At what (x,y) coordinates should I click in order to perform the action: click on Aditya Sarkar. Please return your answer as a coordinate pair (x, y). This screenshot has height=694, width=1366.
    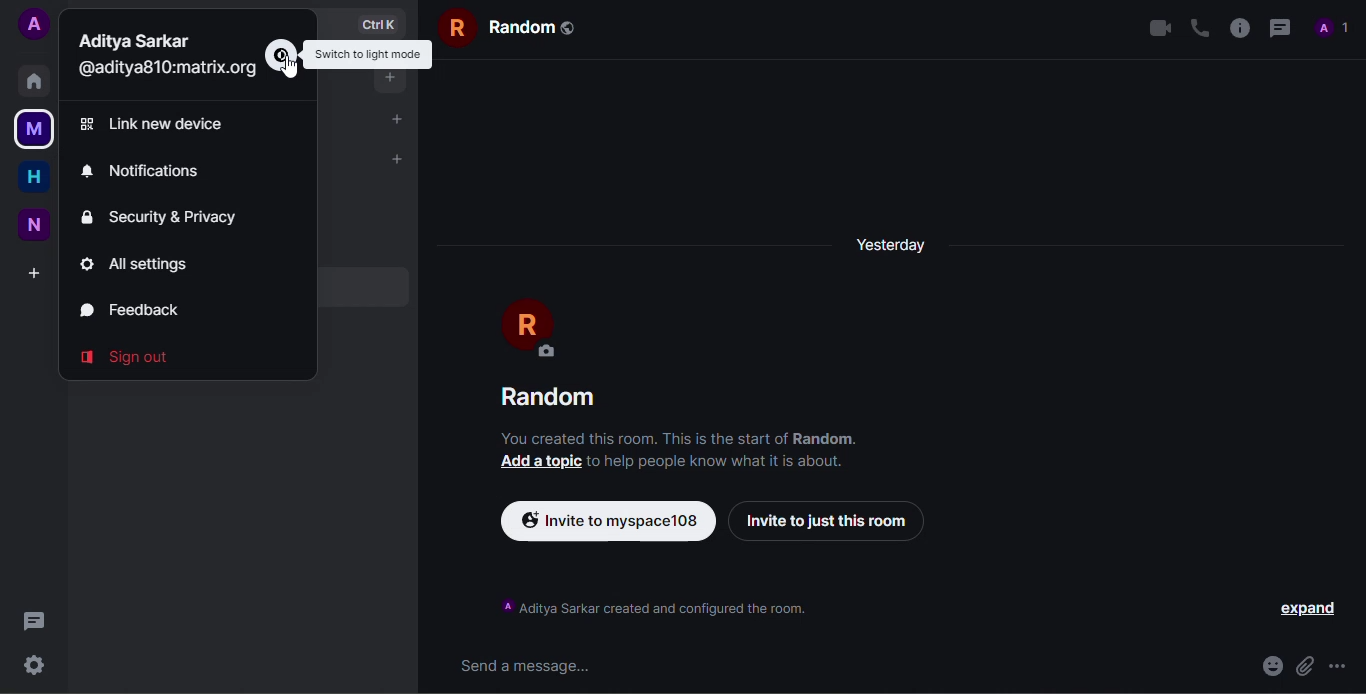
    Looking at the image, I should click on (136, 40).